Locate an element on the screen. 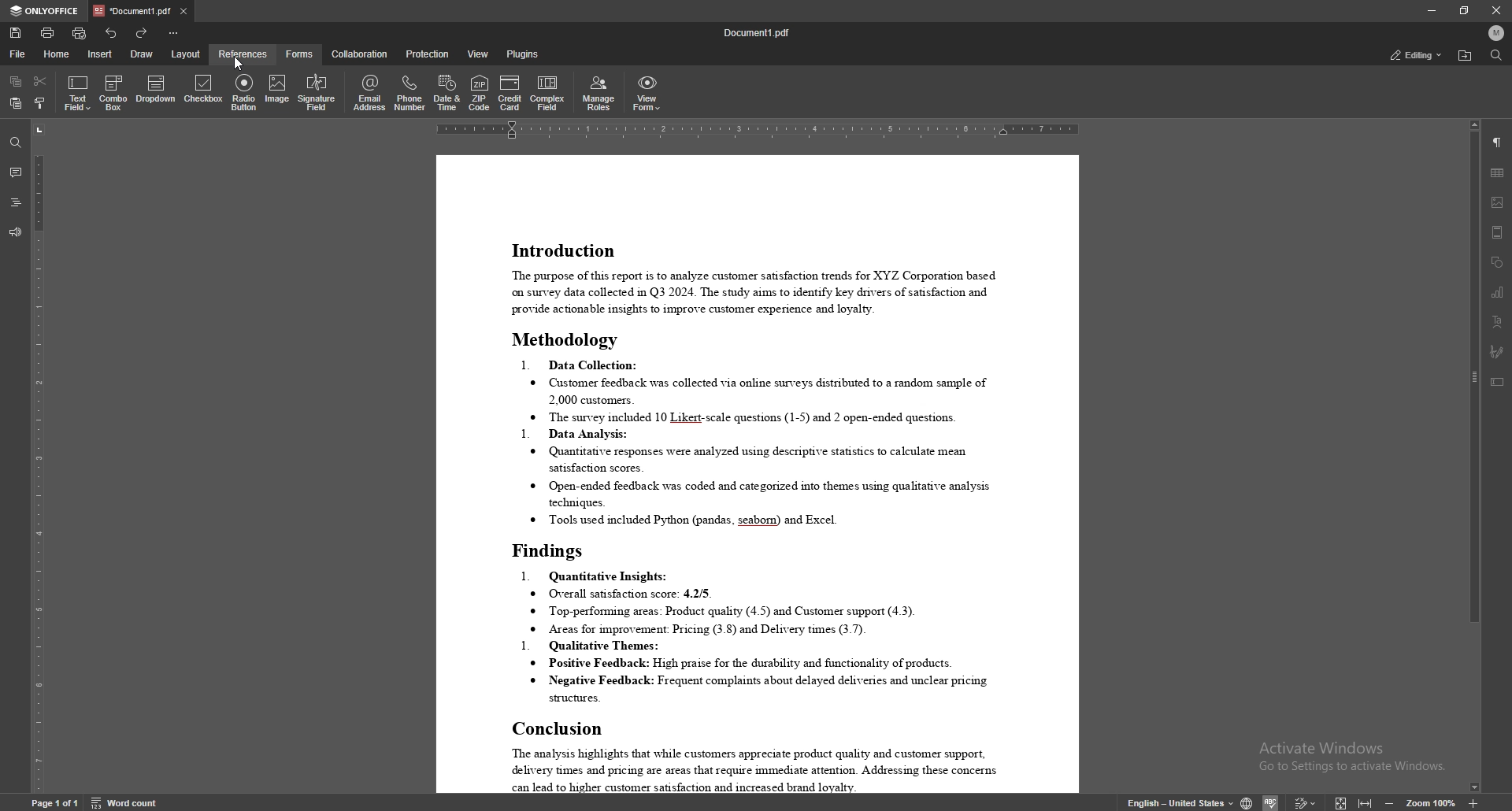  copy is located at coordinates (17, 80).